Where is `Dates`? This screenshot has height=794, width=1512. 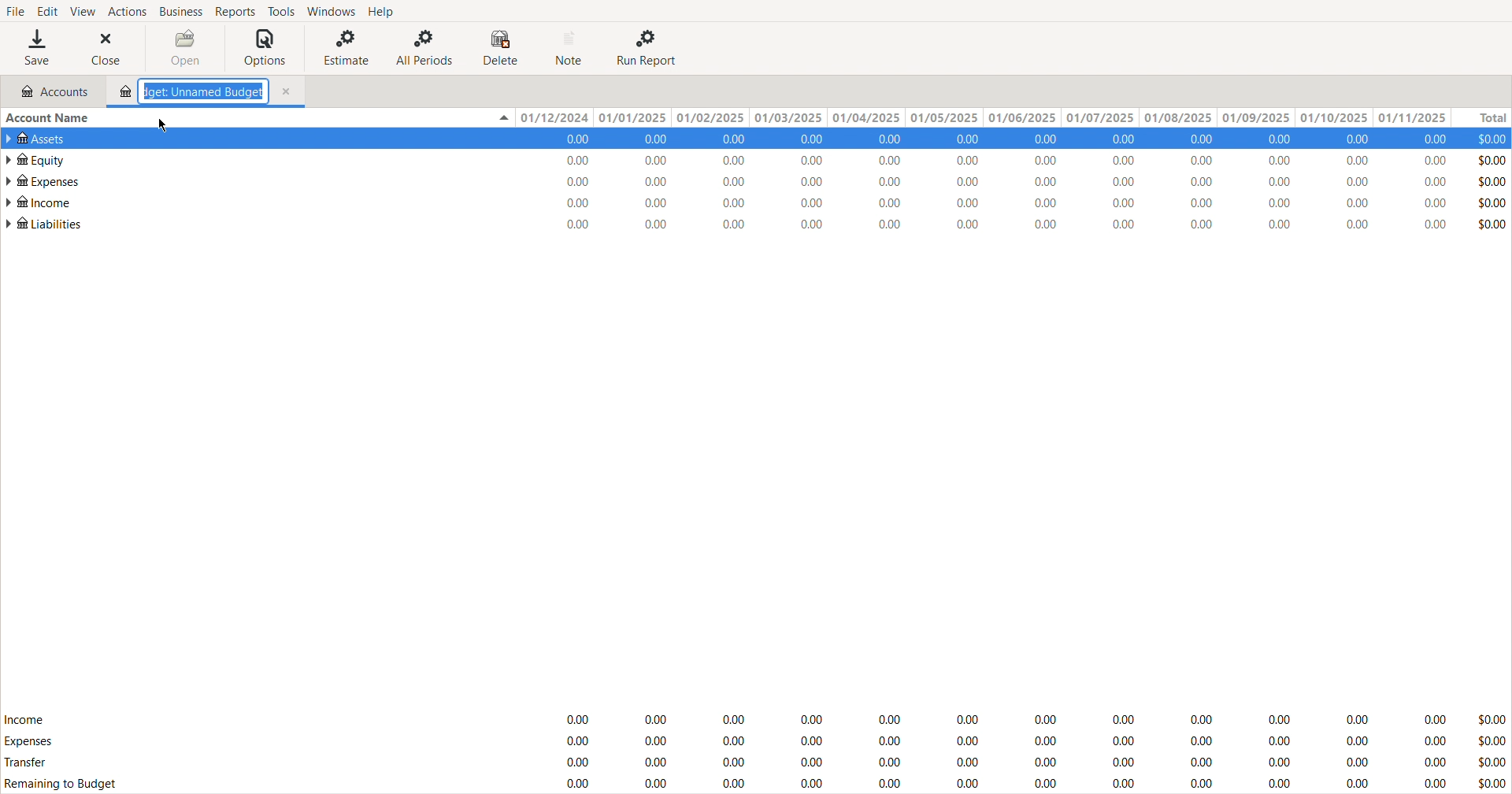 Dates is located at coordinates (979, 115).